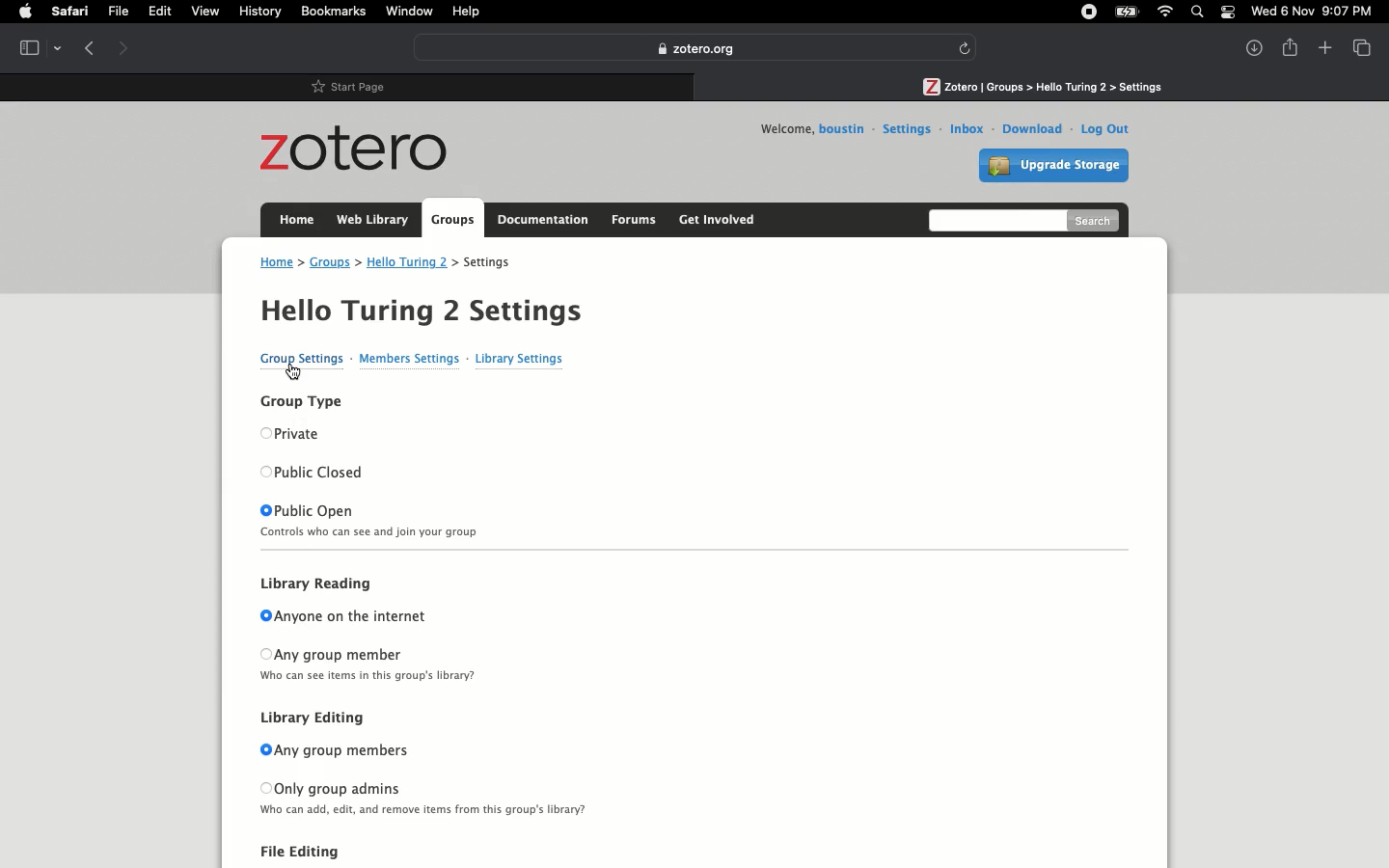 This screenshot has width=1389, height=868. I want to click on Public open, so click(368, 519).